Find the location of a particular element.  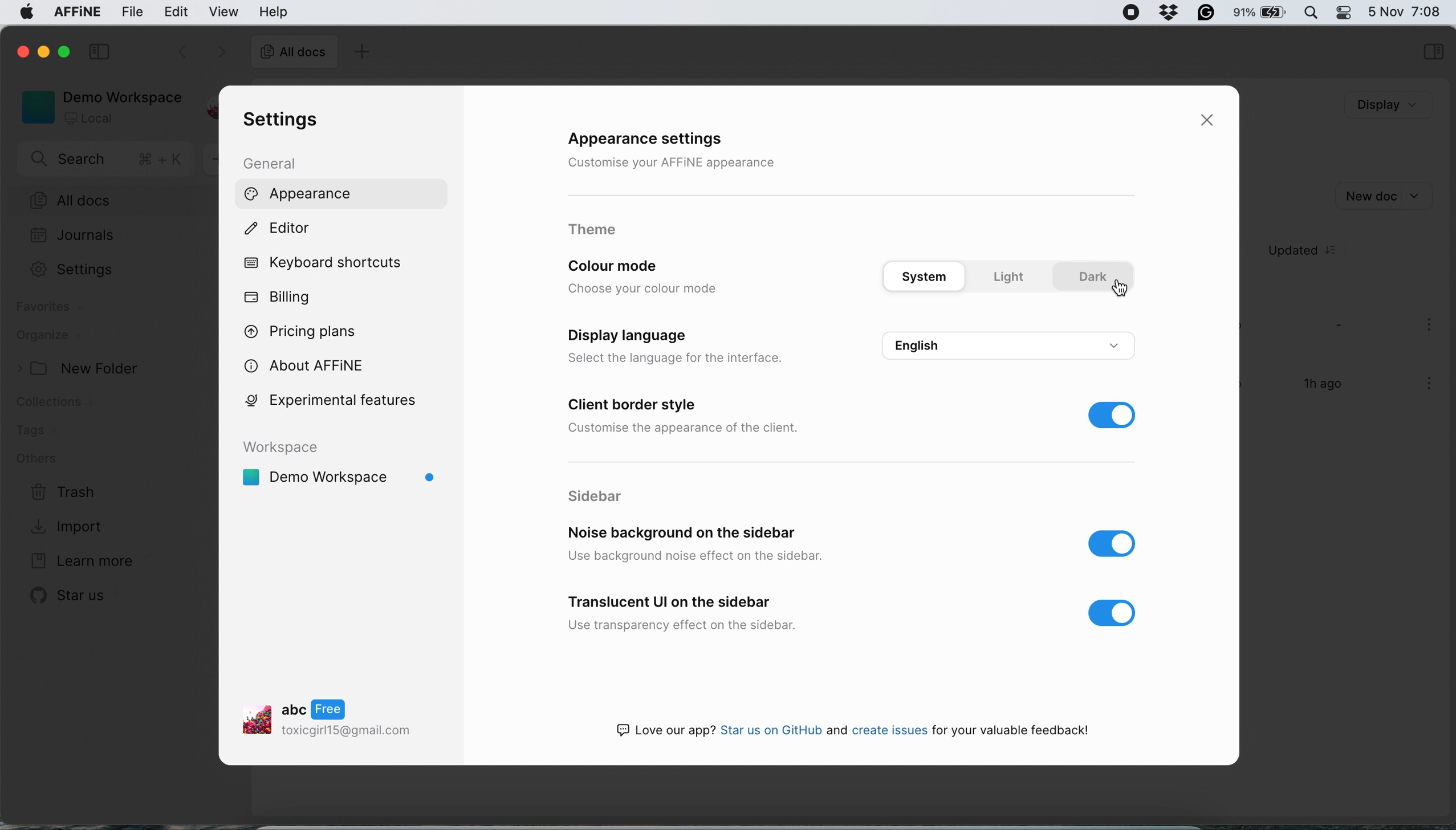

switch tabs is located at coordinates (174, 50).